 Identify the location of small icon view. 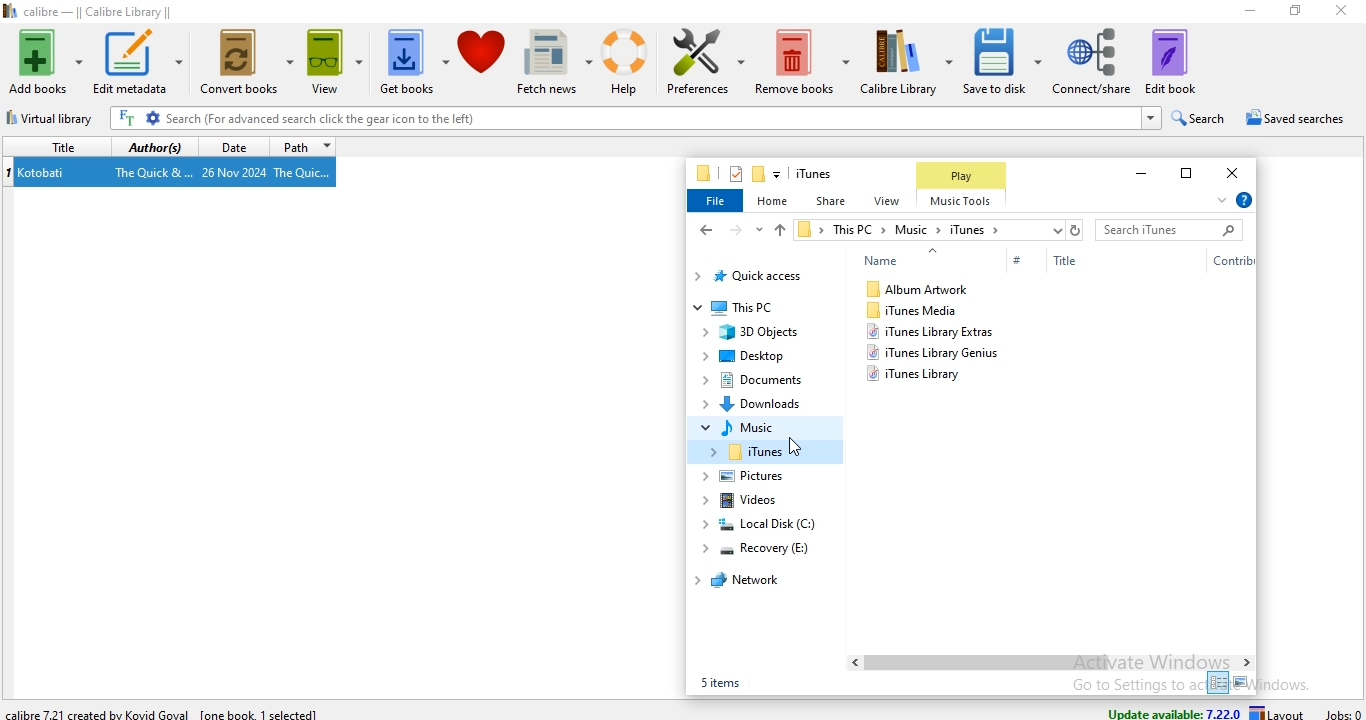
(1217, 682).